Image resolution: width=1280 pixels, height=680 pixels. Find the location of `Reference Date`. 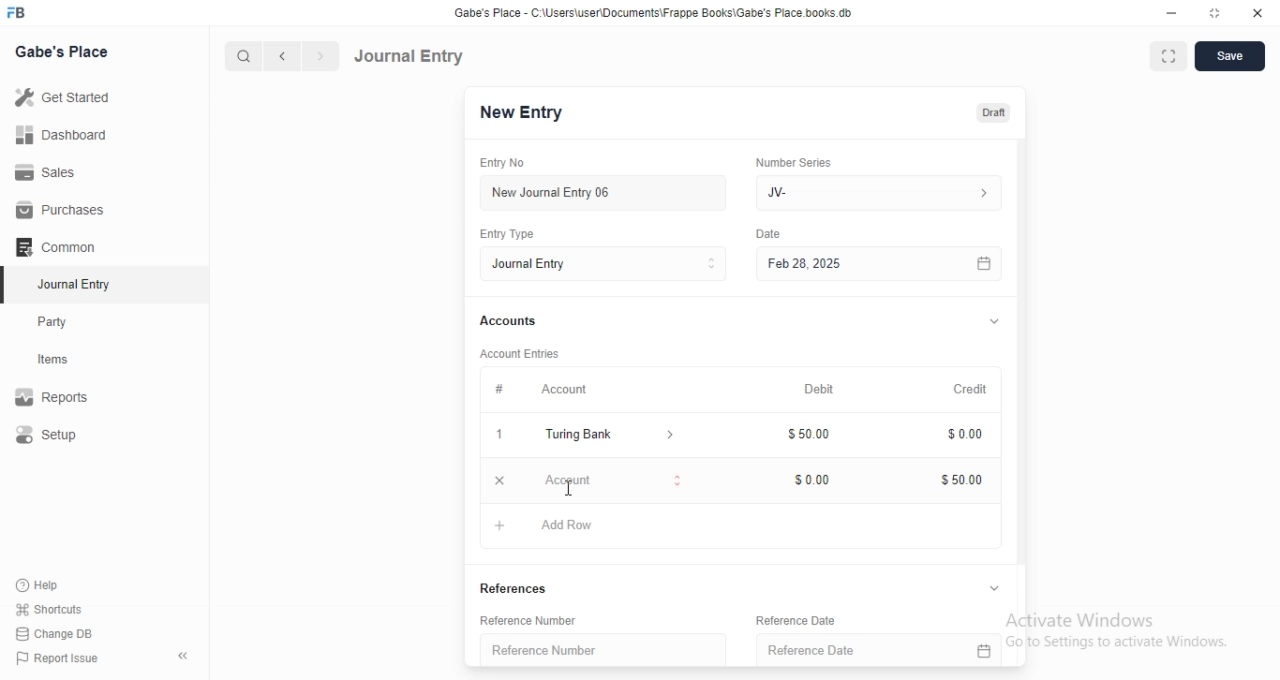

Reference Date is located at coordinates (858, 651).